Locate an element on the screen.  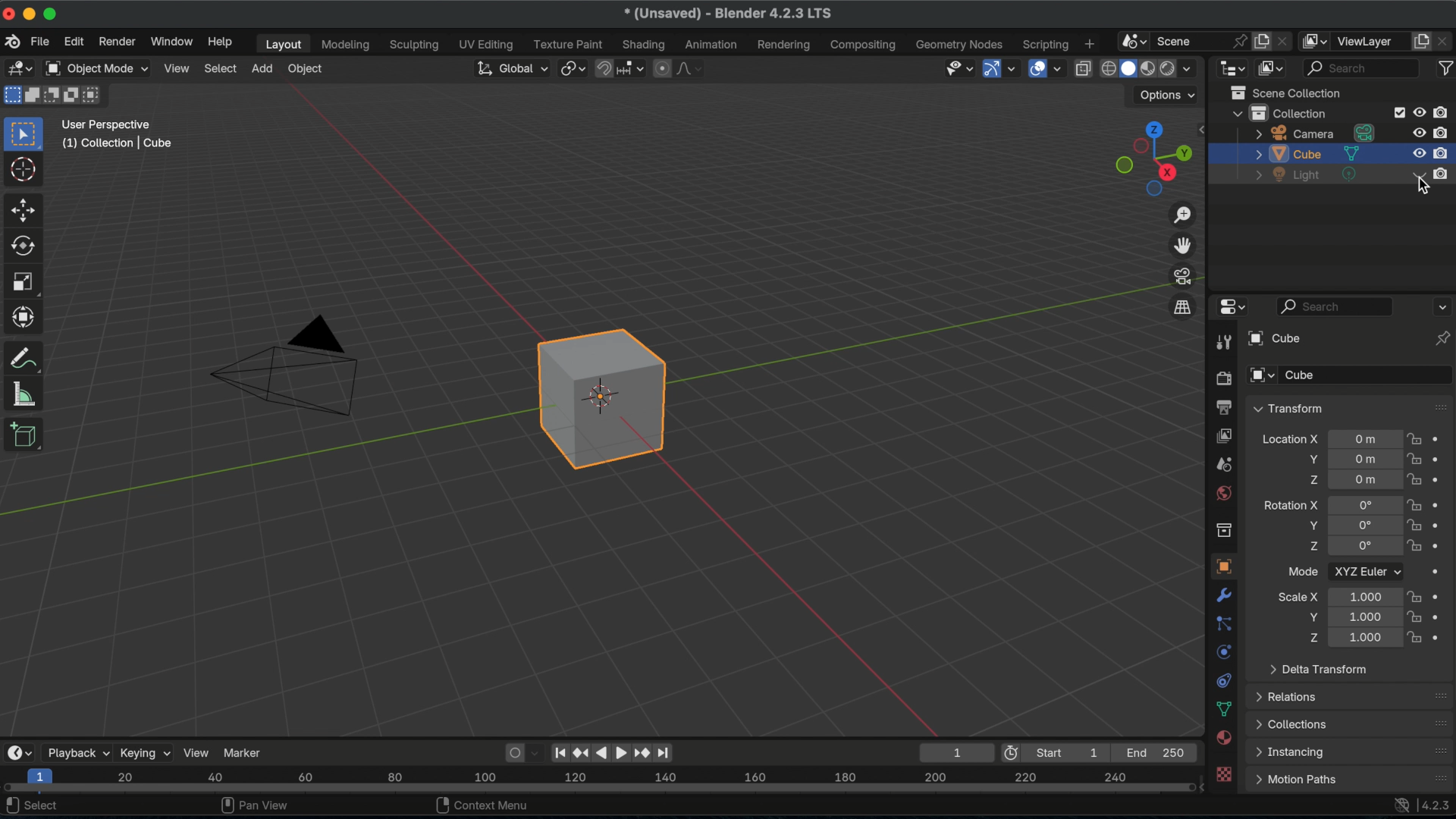
context menu is located at coordinates (480, 807).